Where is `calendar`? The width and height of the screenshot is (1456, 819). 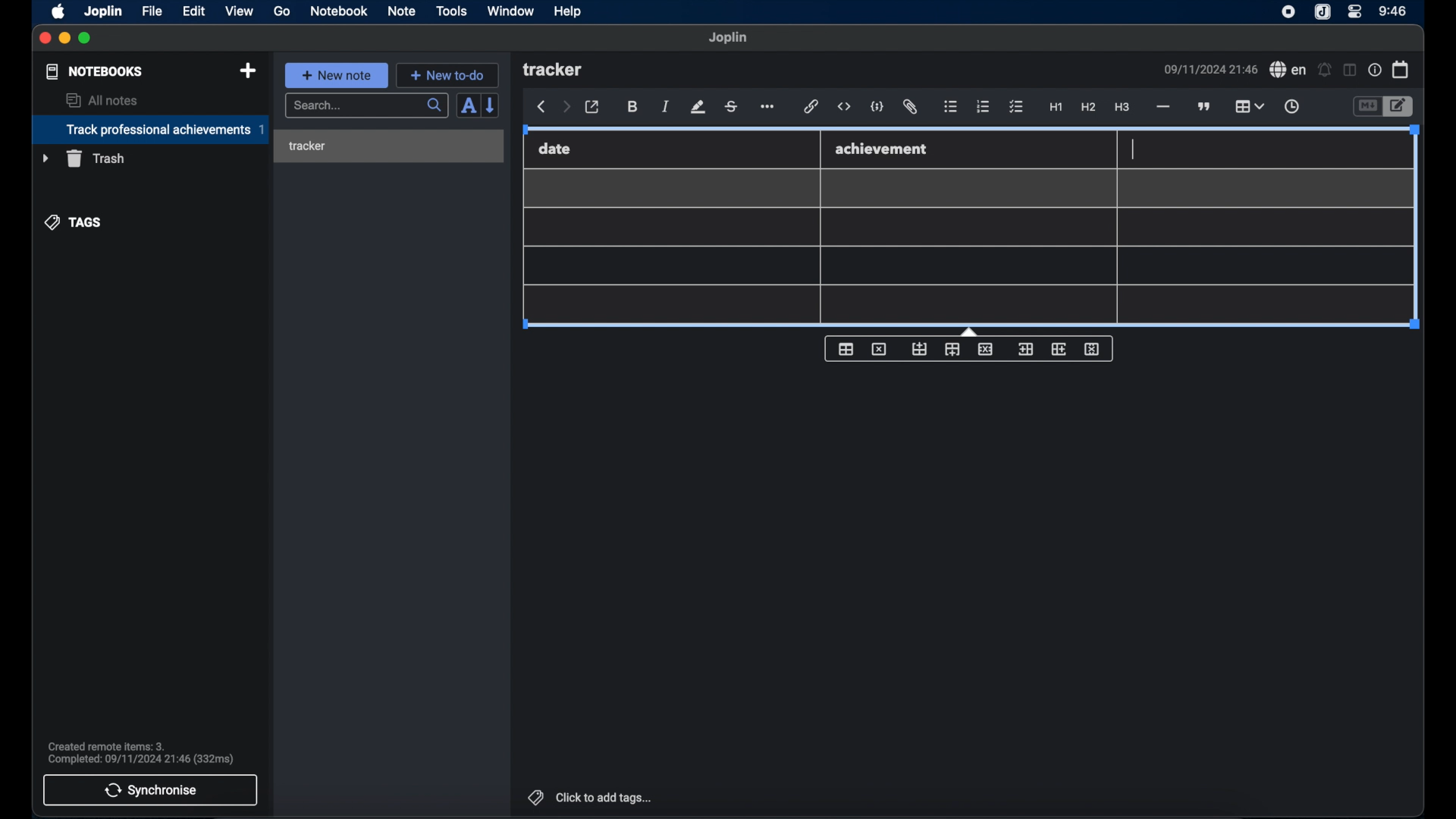
calendar is located at coordinates (1401, 69).